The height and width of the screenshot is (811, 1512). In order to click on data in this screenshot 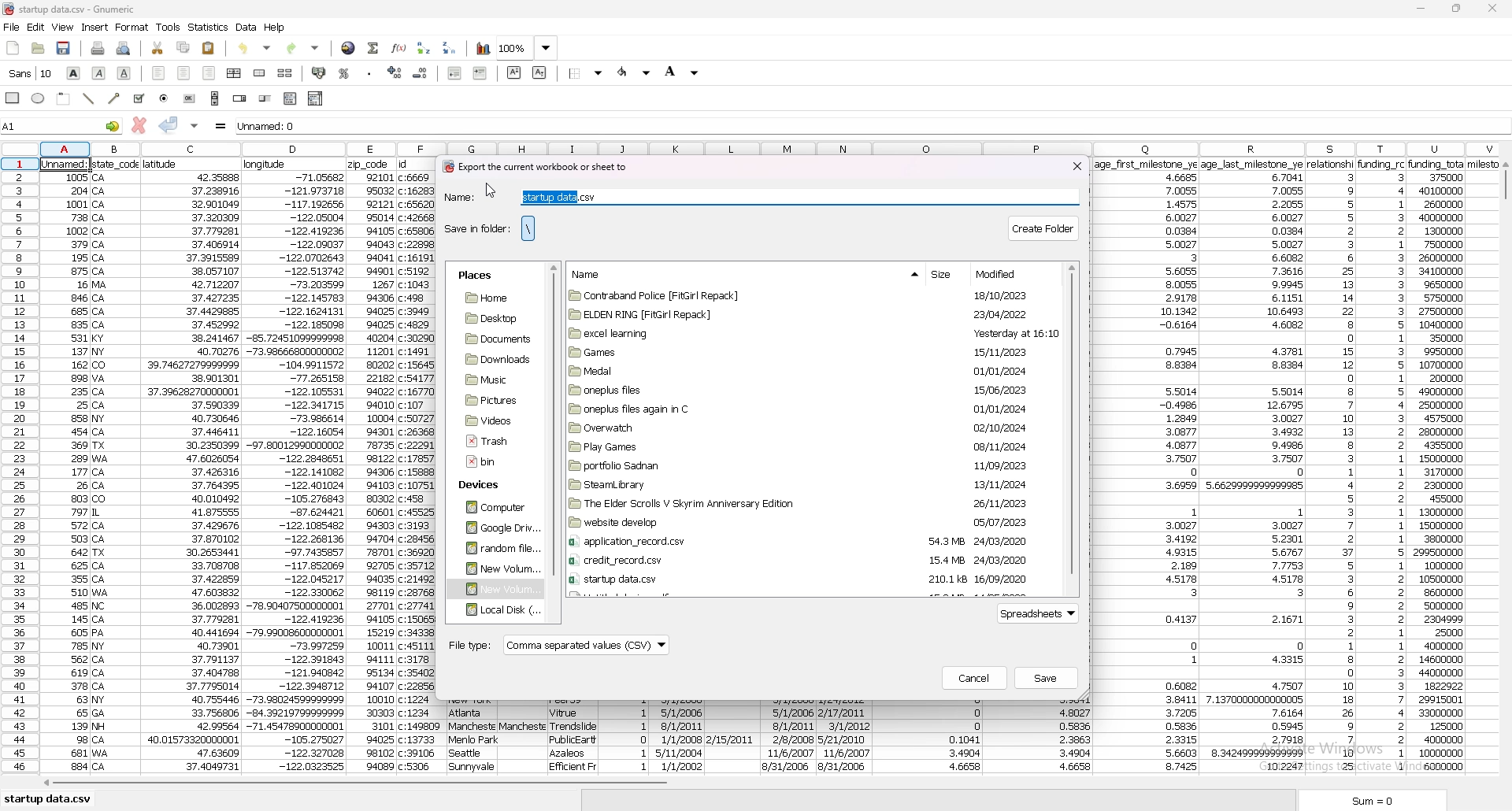, I will do `click(679, 734)`.